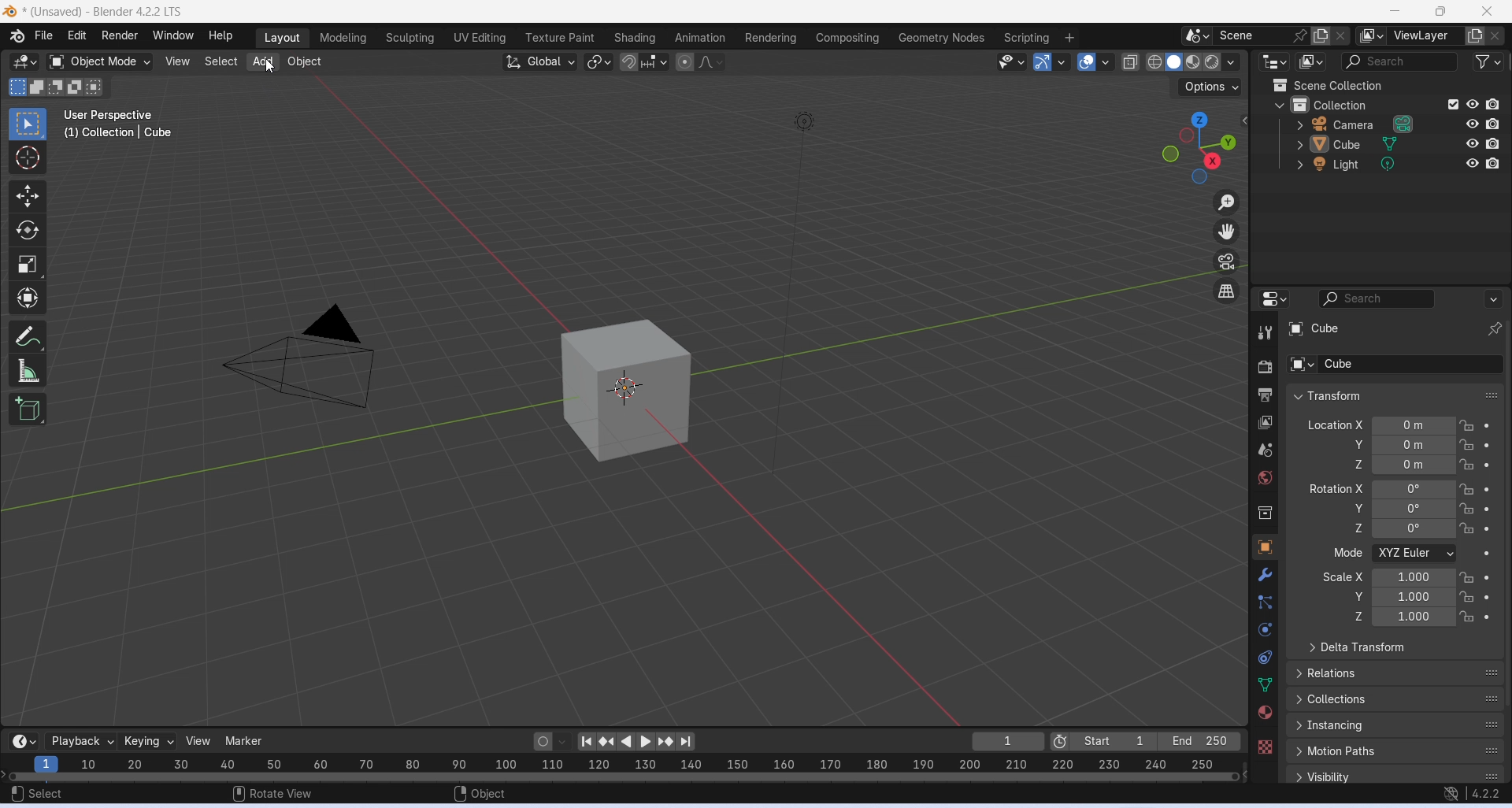 The width and height of the screenshot is (1512, 808). What do you see at coordinates (1013, 61) in the screenshot?
I see `selectiblity and visibility` at bounding box center [1013, 61].